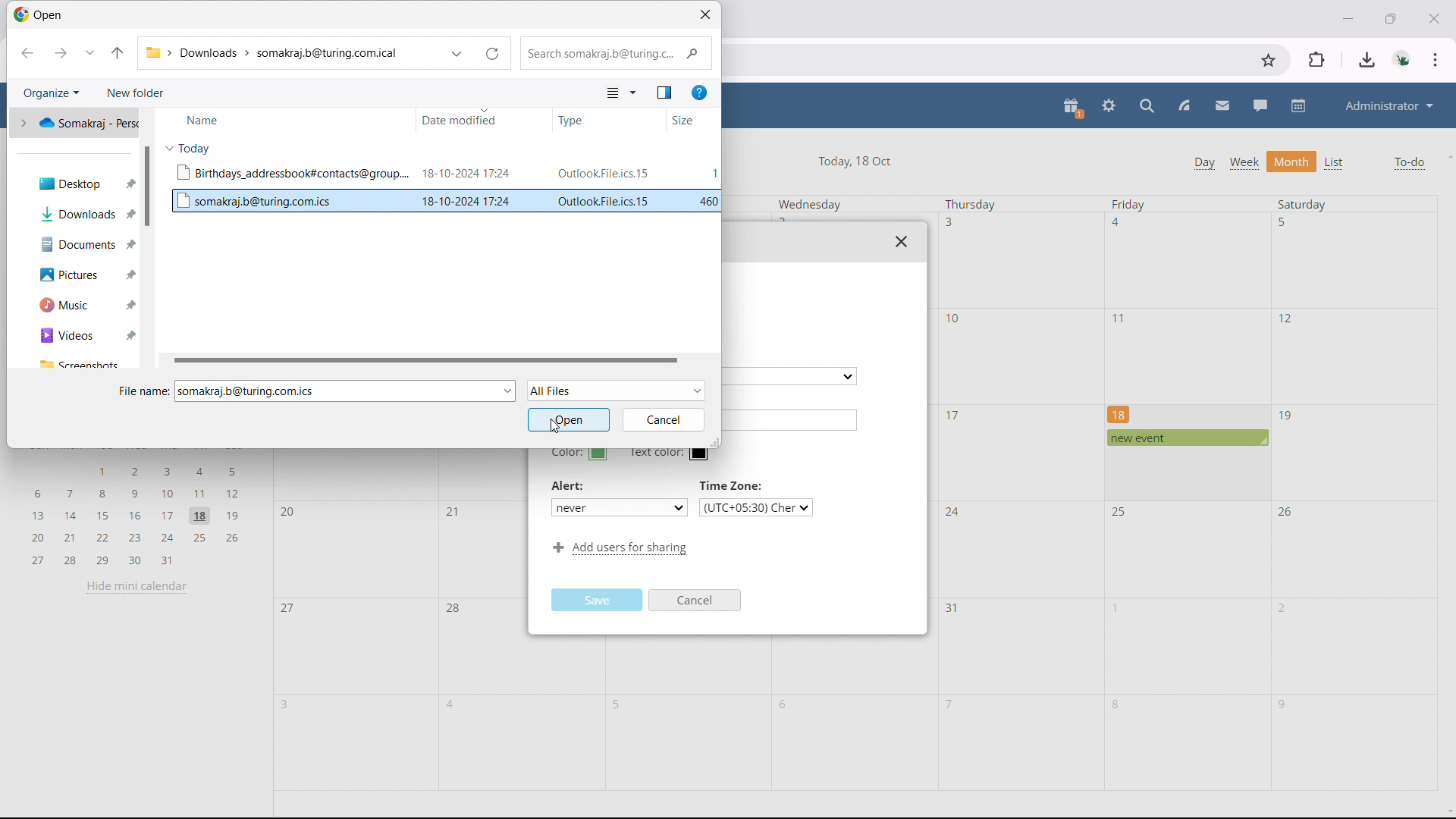 The height and width of the screenshot is (819, 1456). Describe the element at coordinates (708, 201) in the screenshot. I see `460` at that location.